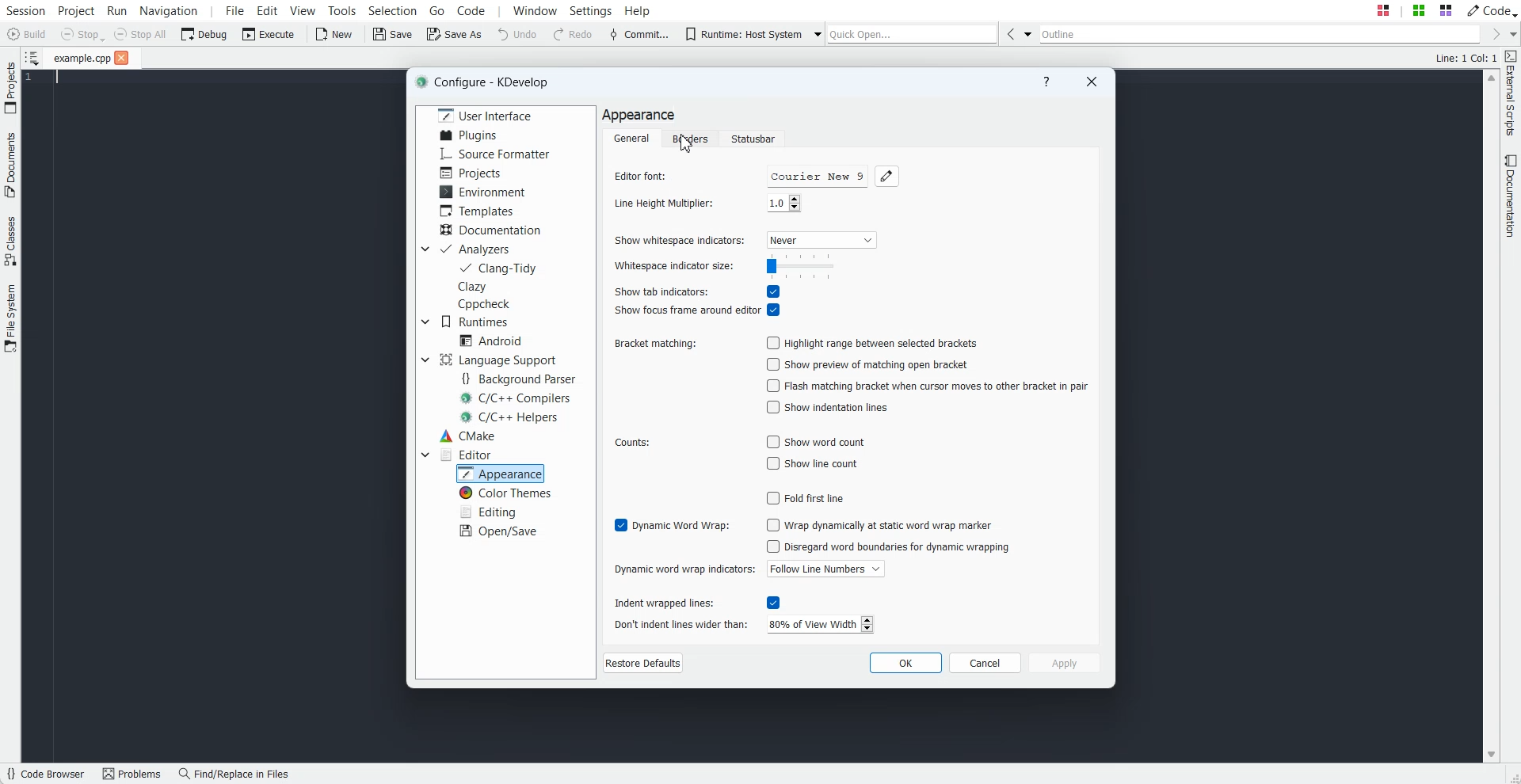  I want to click on Language Support, so click(497, 359).